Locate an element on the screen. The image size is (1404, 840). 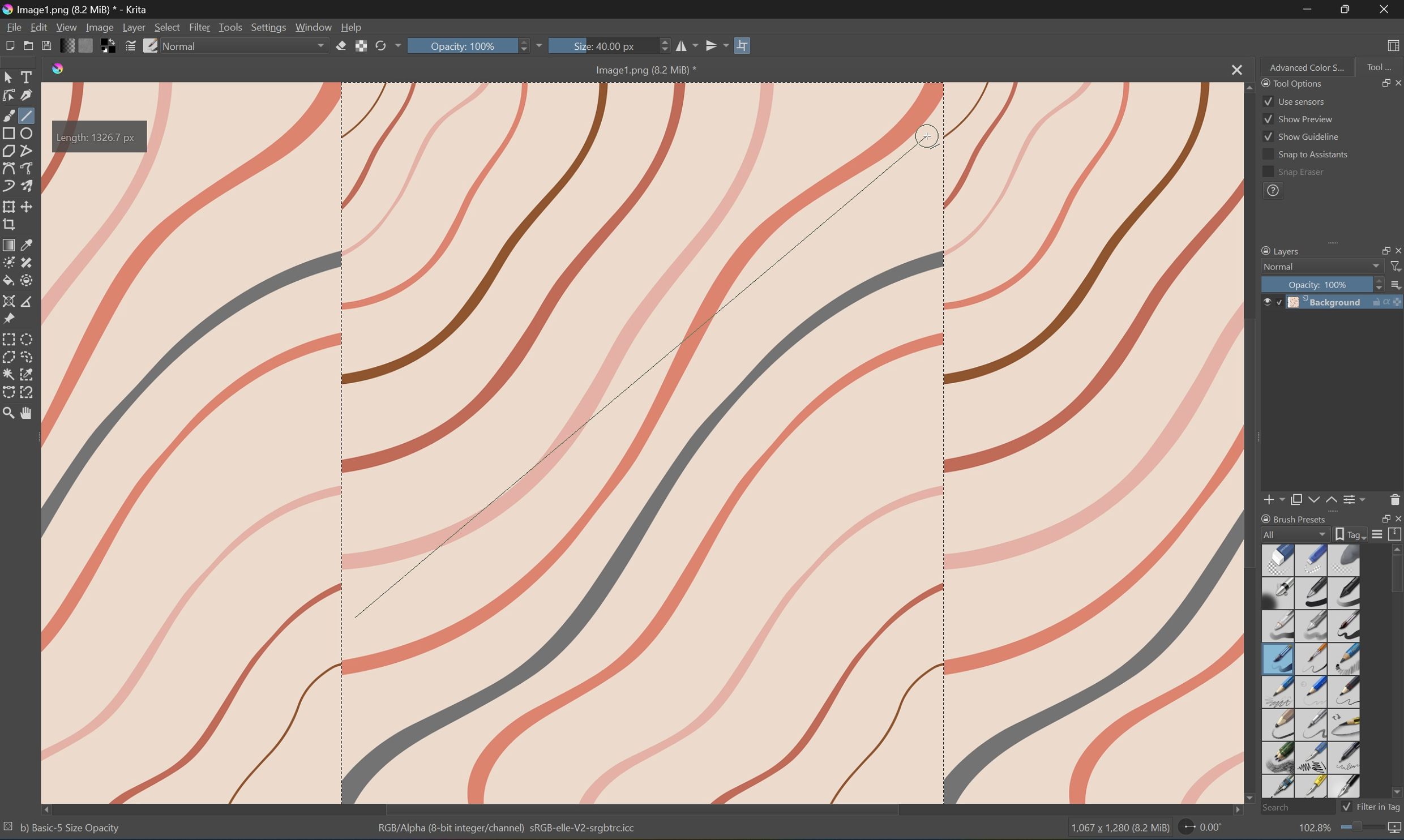
1,067 * 1,280 (3.2 MB) is located at coordinates (1118, 829).